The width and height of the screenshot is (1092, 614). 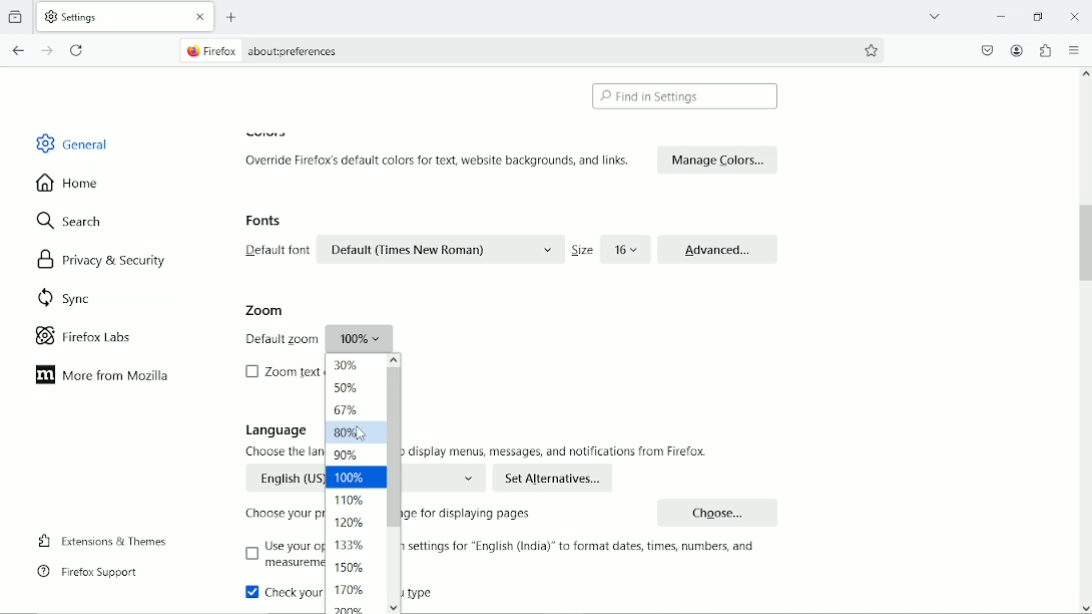 What do you see at coordinates (66, 298) in the screenshot?
I see `Sync` at bounding box center [66, 298].